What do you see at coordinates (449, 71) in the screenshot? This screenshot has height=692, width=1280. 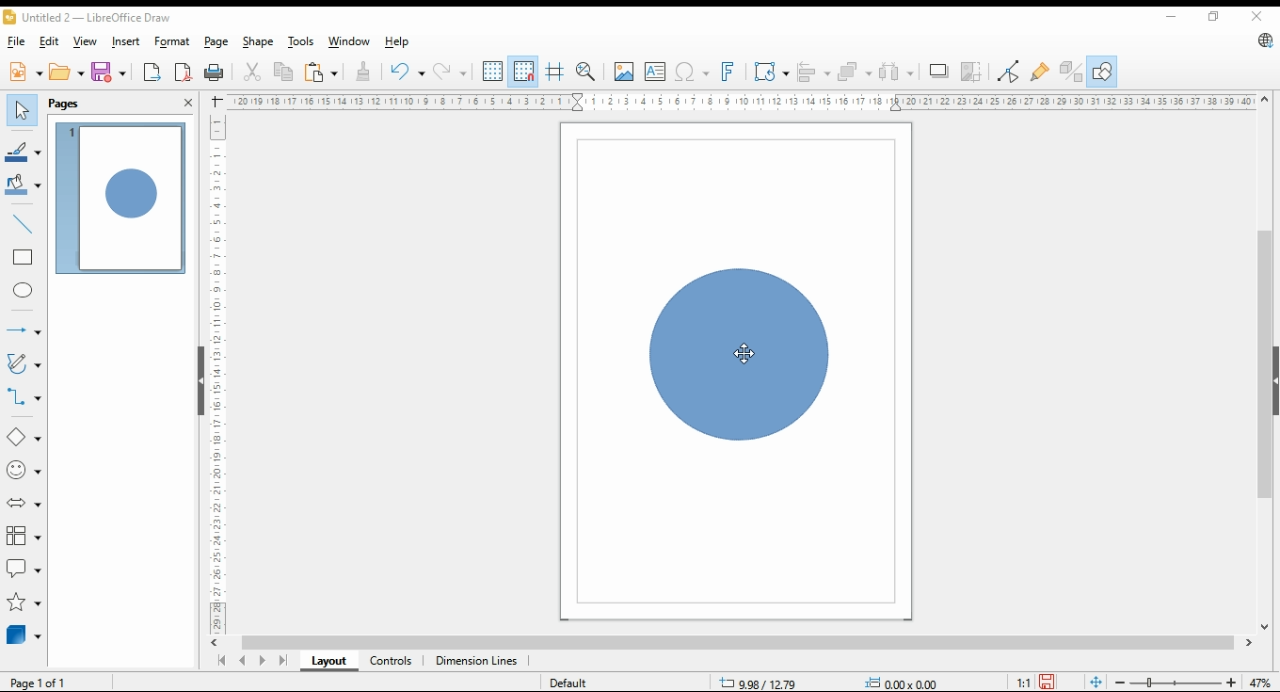 I see `redo` at bounding box center [449, 71].